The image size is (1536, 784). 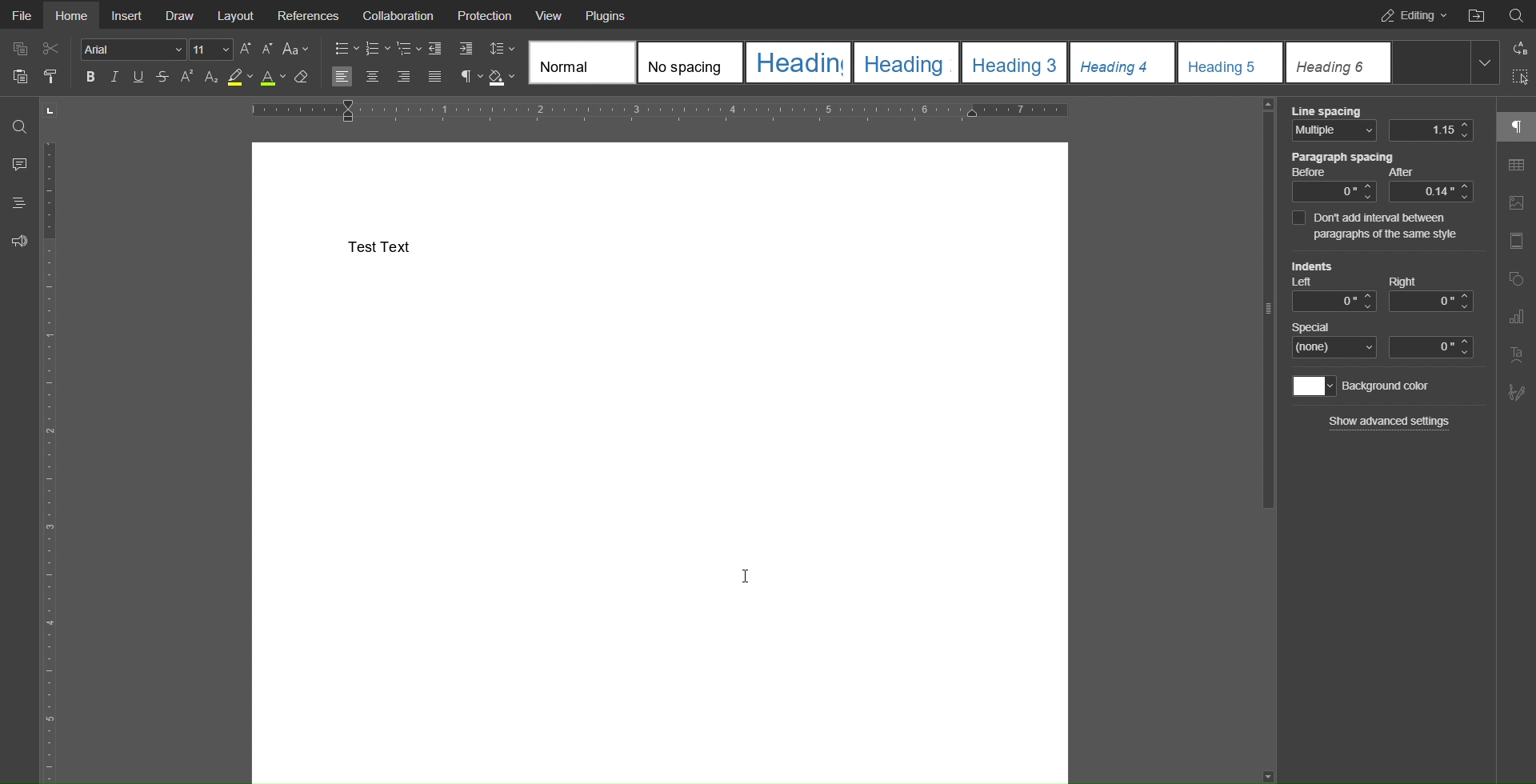 What do you see at coordinates (19, 126) in the screenshot?
I see `Search` at bounding box center [19, 126].